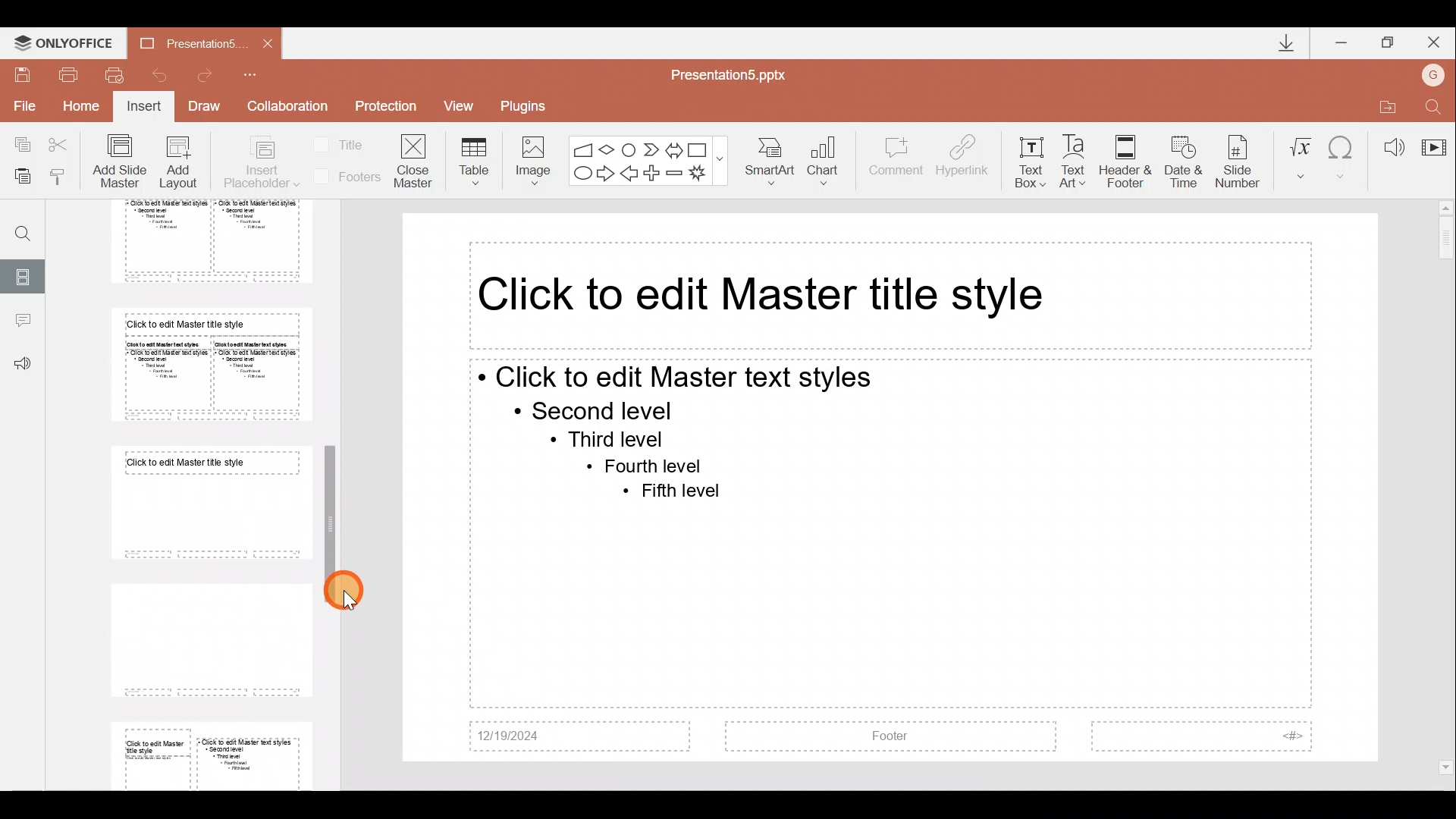  What do you see at coordinates (23, 365) in the screenshot?
I see `Feedback & support` at bounding box center [23, 365].